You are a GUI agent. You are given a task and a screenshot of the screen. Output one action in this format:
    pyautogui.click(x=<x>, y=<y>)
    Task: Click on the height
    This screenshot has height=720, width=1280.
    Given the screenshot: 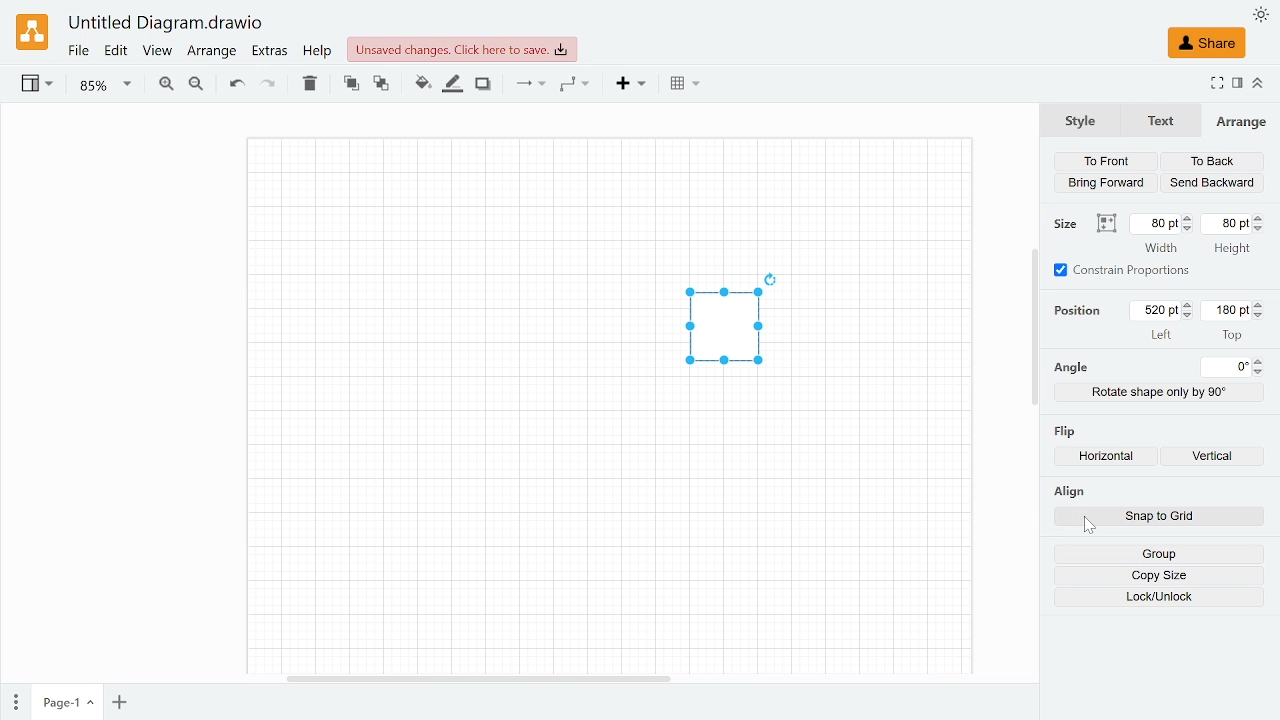 What is the action you would take?
    pyautogui.click(x=1231, y=250)
    